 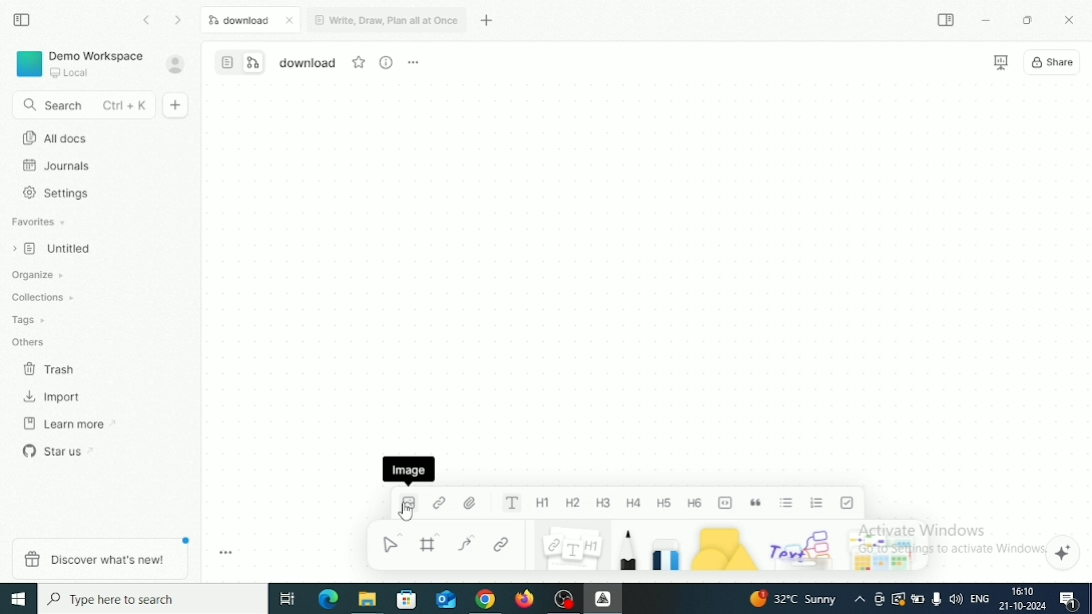 I want to click on Heading 2, so click(x=573, y=504).